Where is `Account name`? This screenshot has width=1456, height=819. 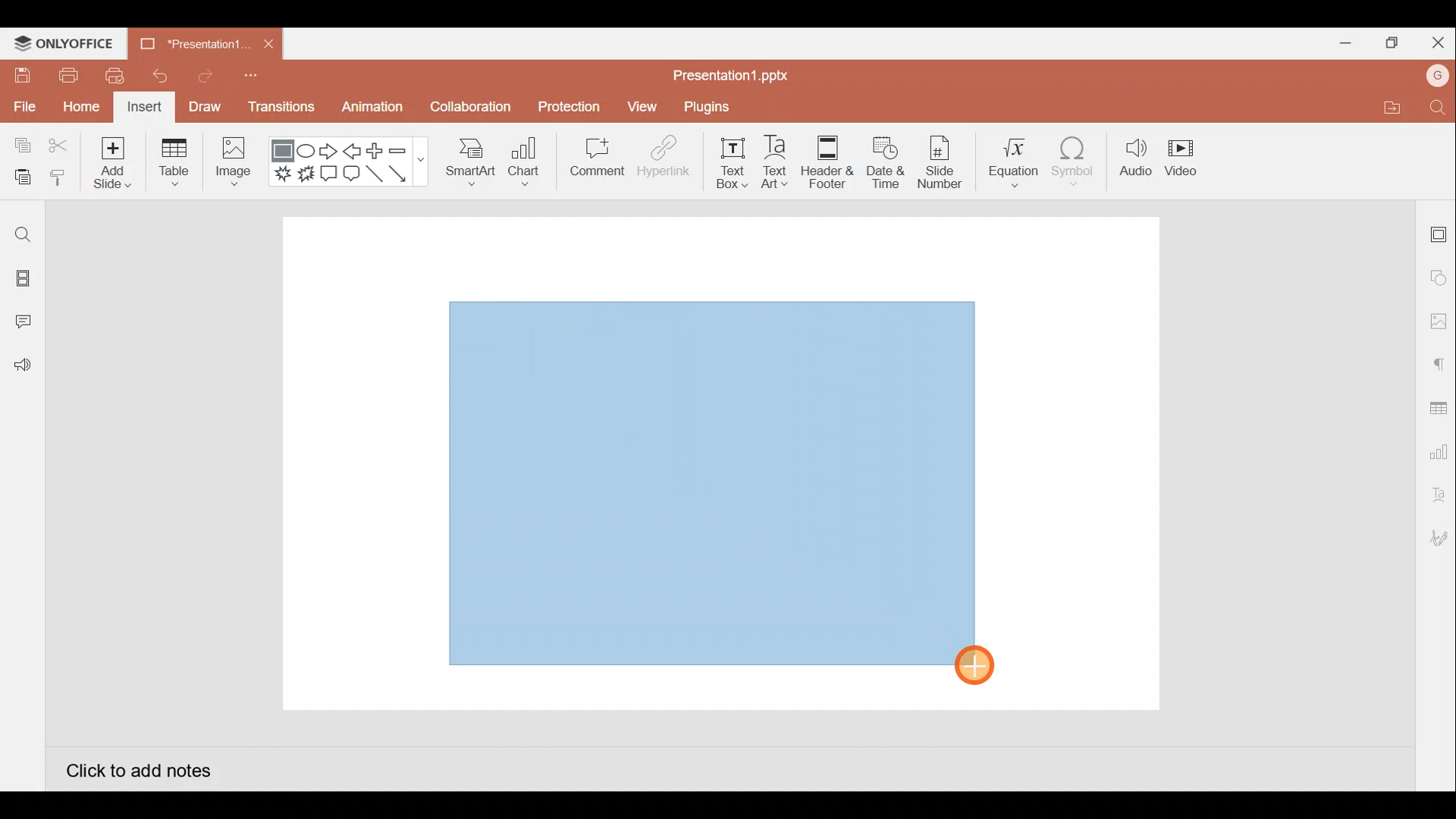
Account name is located at coordinates (1438, 76).